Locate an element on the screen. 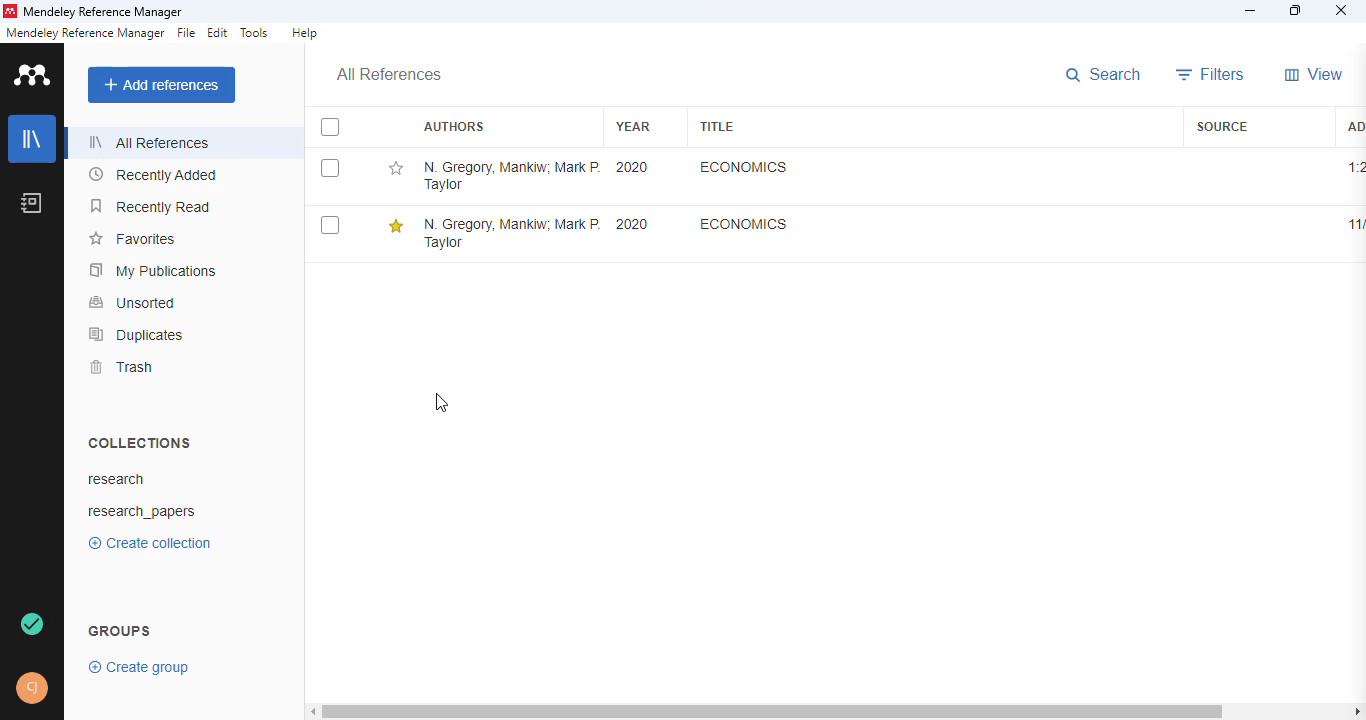  2020 is located at coordinates (631, 224).